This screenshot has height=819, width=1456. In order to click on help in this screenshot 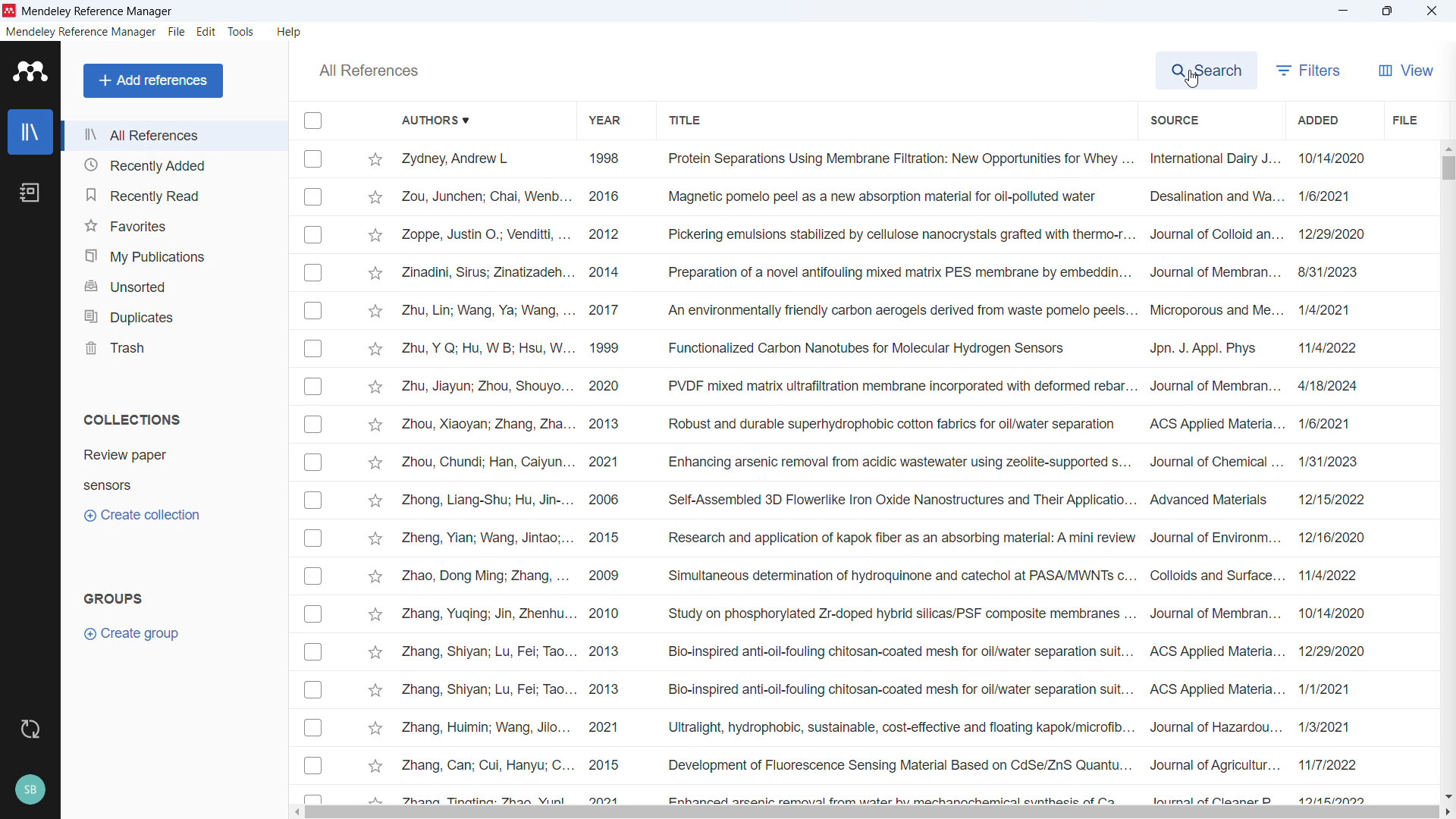, I will do `click(290, 31)`.